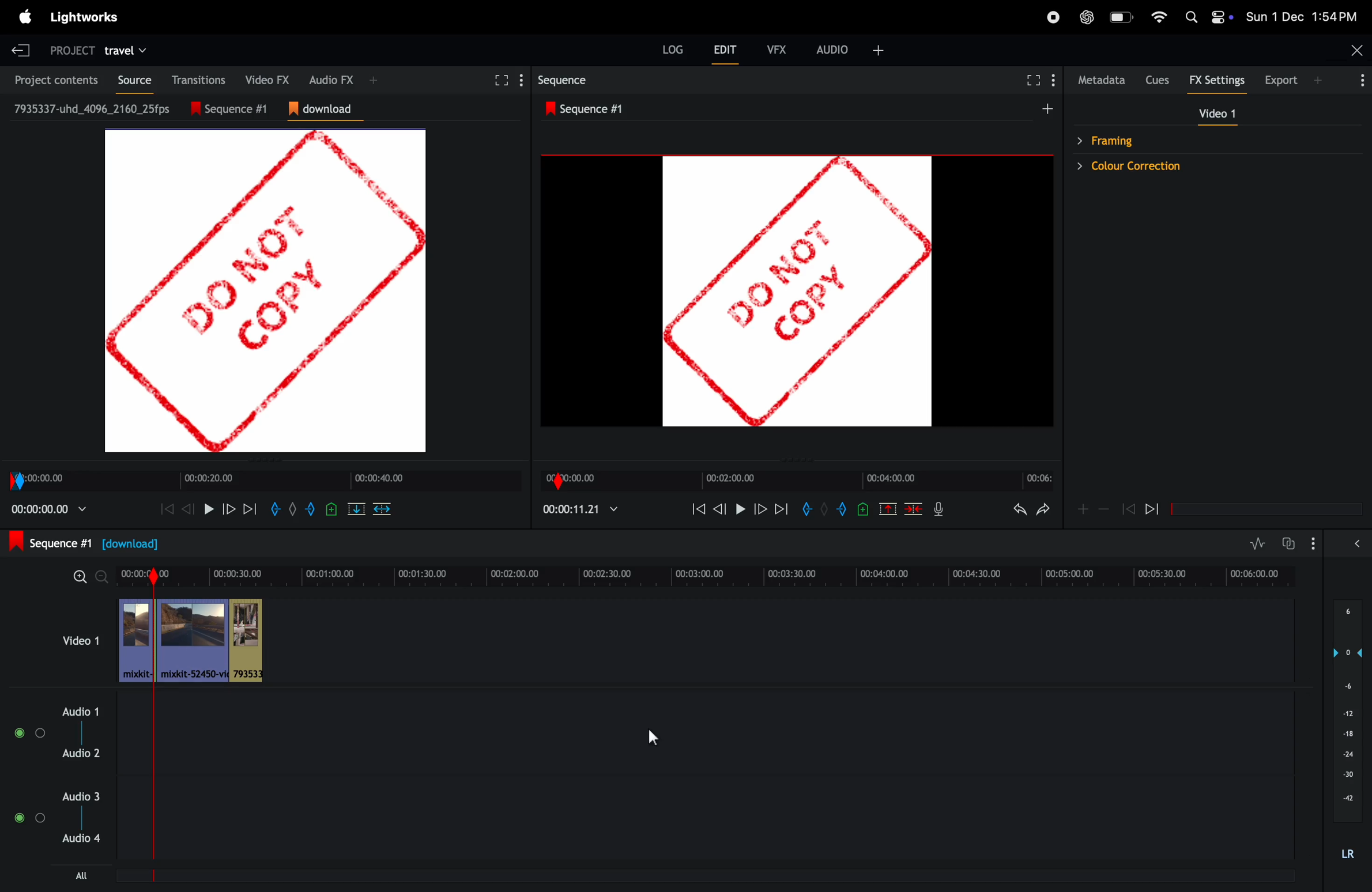 The height and width of the screenshot is (892, 1372). I want to click on Add, so click(1047, 108).